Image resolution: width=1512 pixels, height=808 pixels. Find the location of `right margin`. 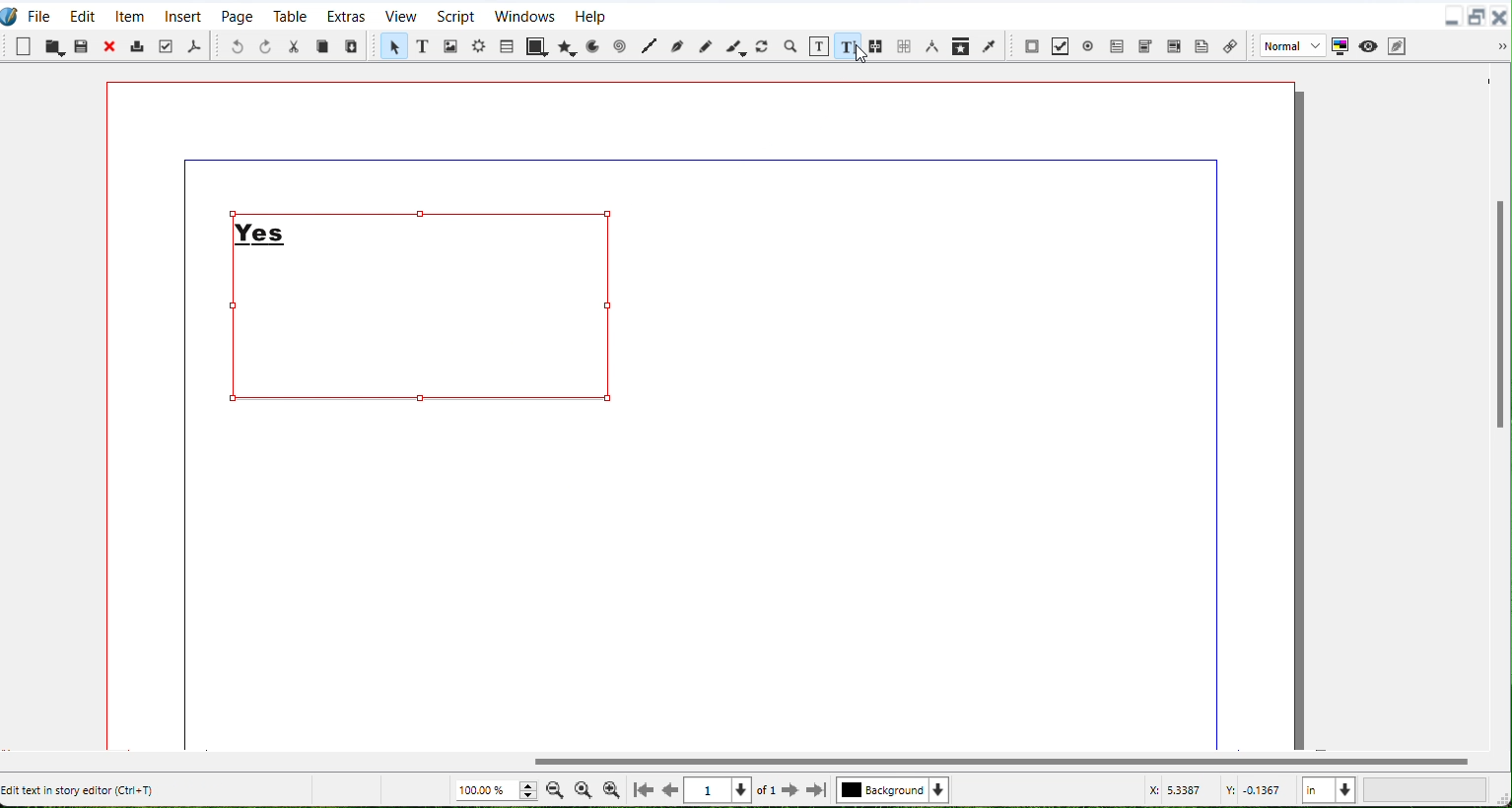

right margin is located at coordinates (1218, 460).